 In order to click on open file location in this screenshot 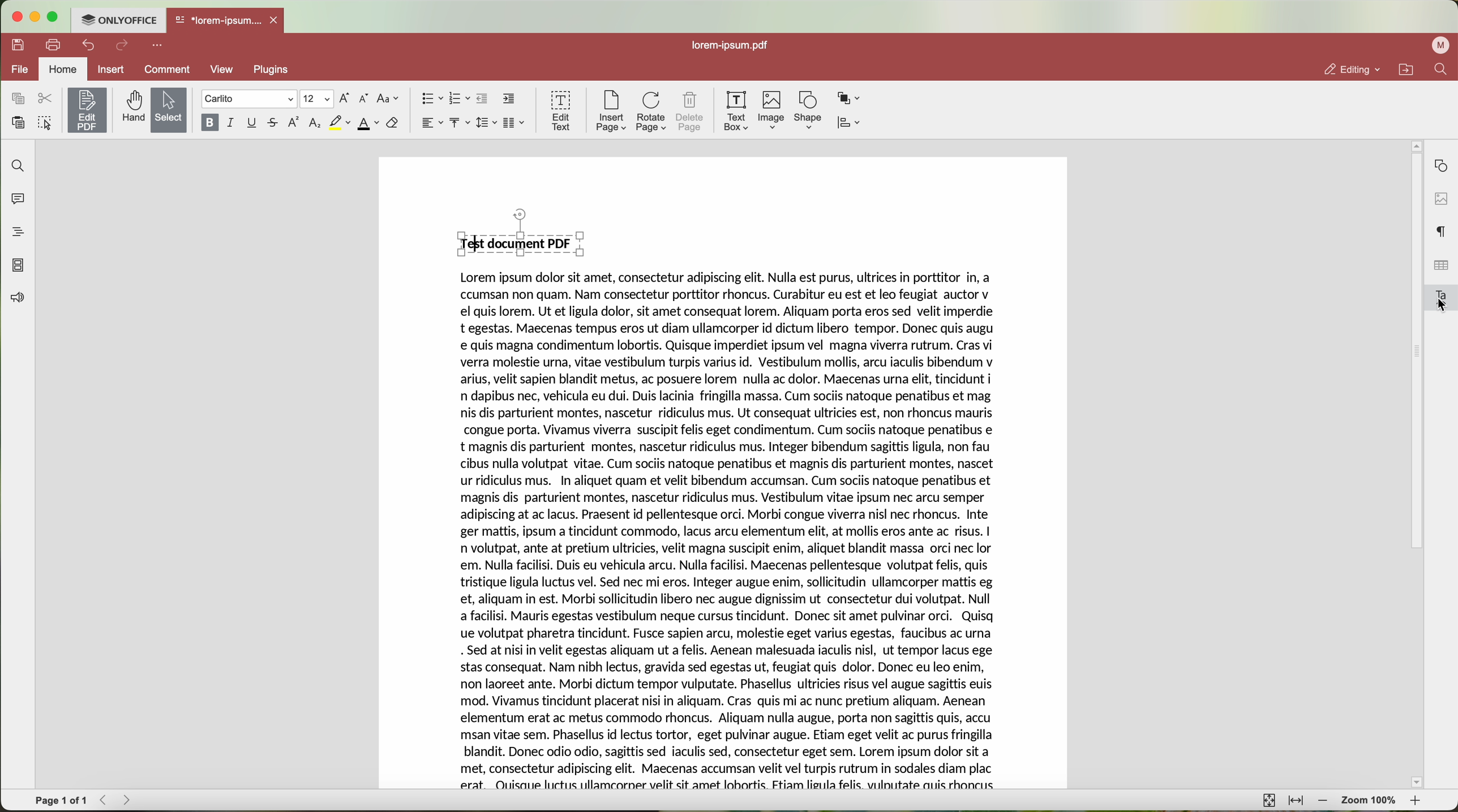, I will do `click(1405, 69)`.